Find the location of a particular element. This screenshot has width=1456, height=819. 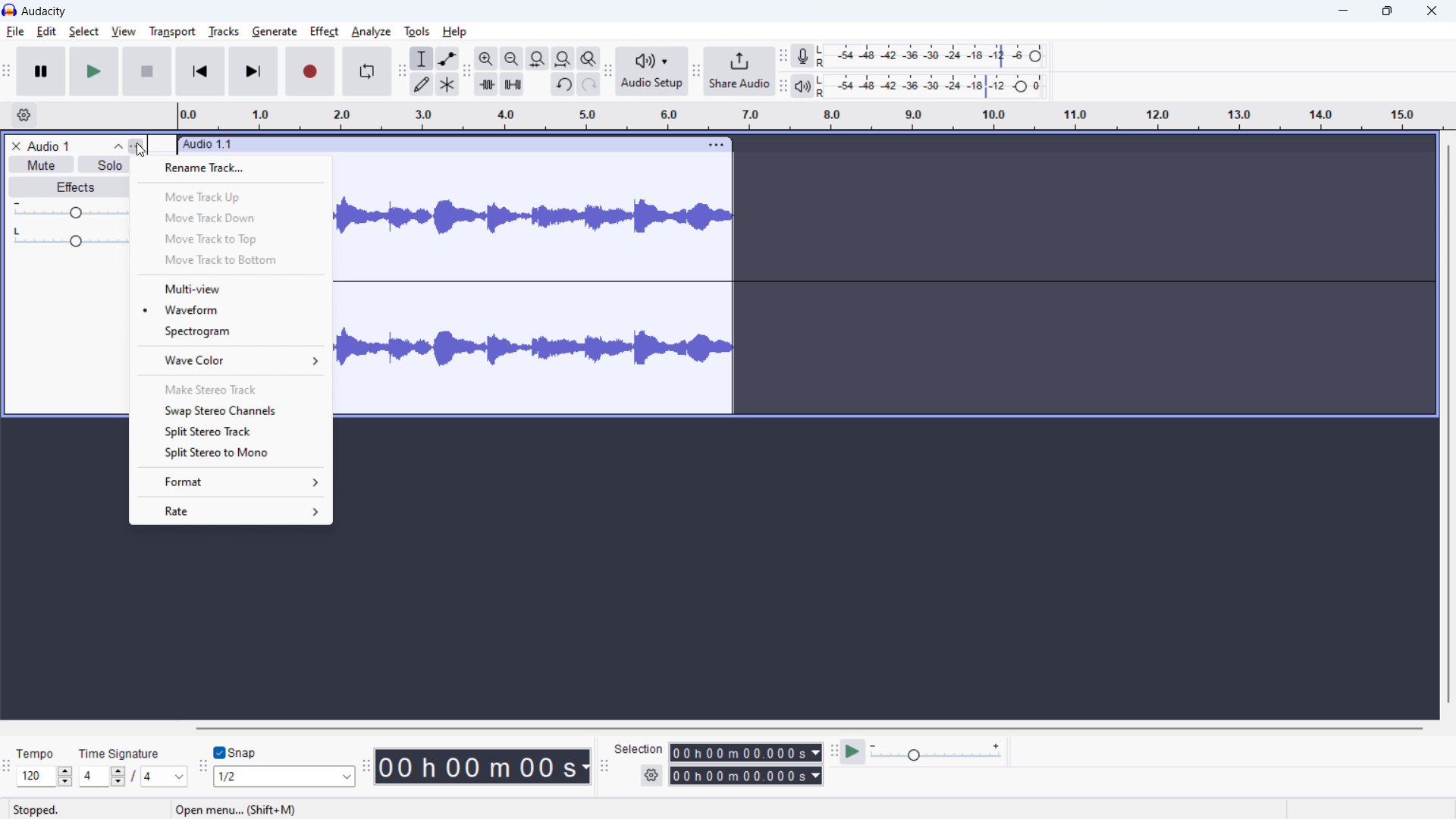

split stereo track is located at coordinates (230, 433).